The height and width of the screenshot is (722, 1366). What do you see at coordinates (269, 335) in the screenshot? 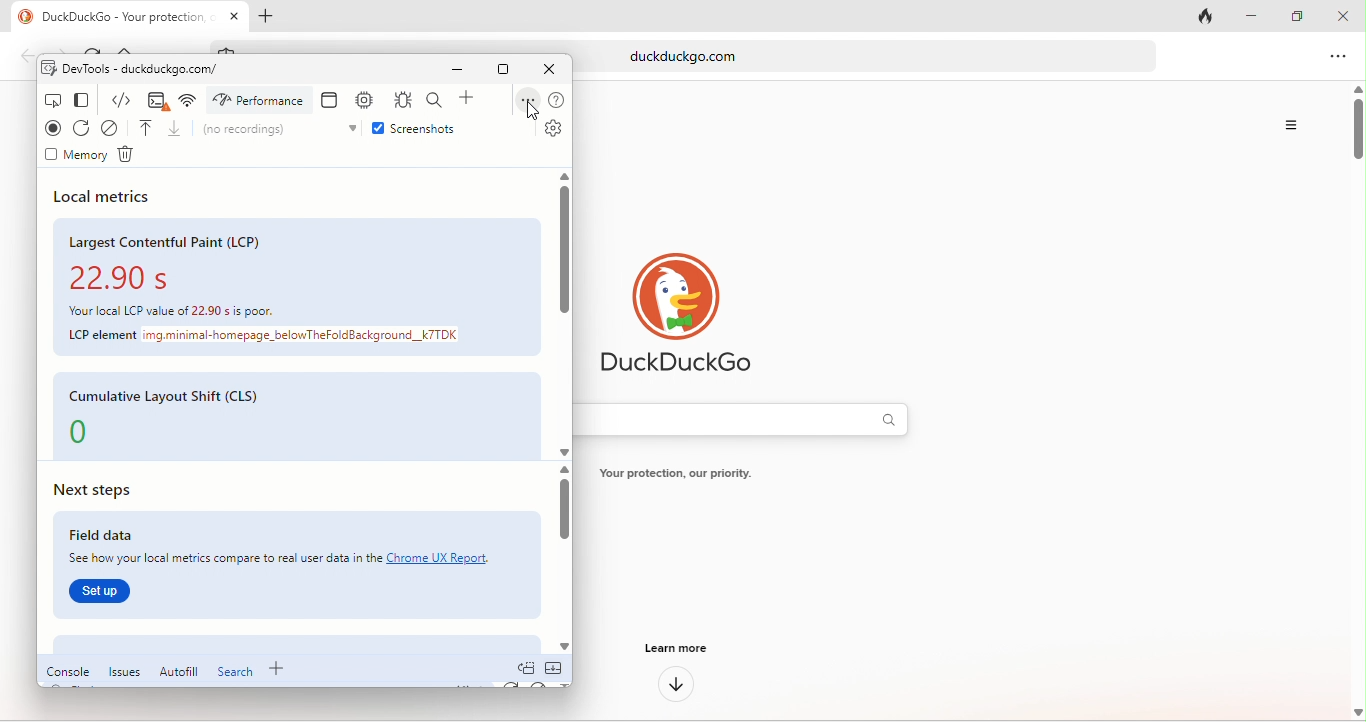
I see `LCP element img.minimal-homepage_belowTheFoldBackground_k7TDK` at bounding box center [269, 335].